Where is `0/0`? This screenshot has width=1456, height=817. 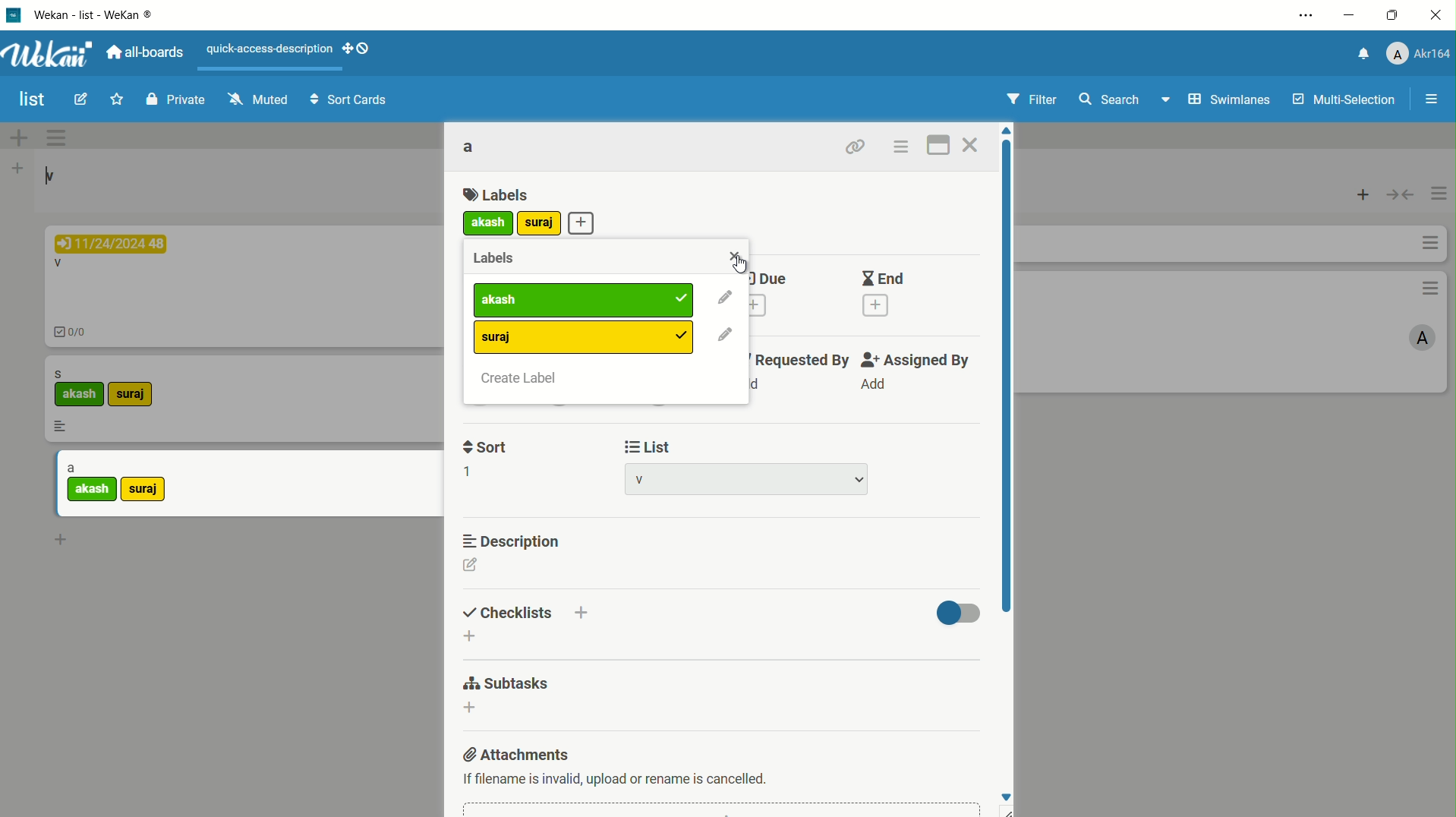 0/0 is located at coordinates (77, 332).